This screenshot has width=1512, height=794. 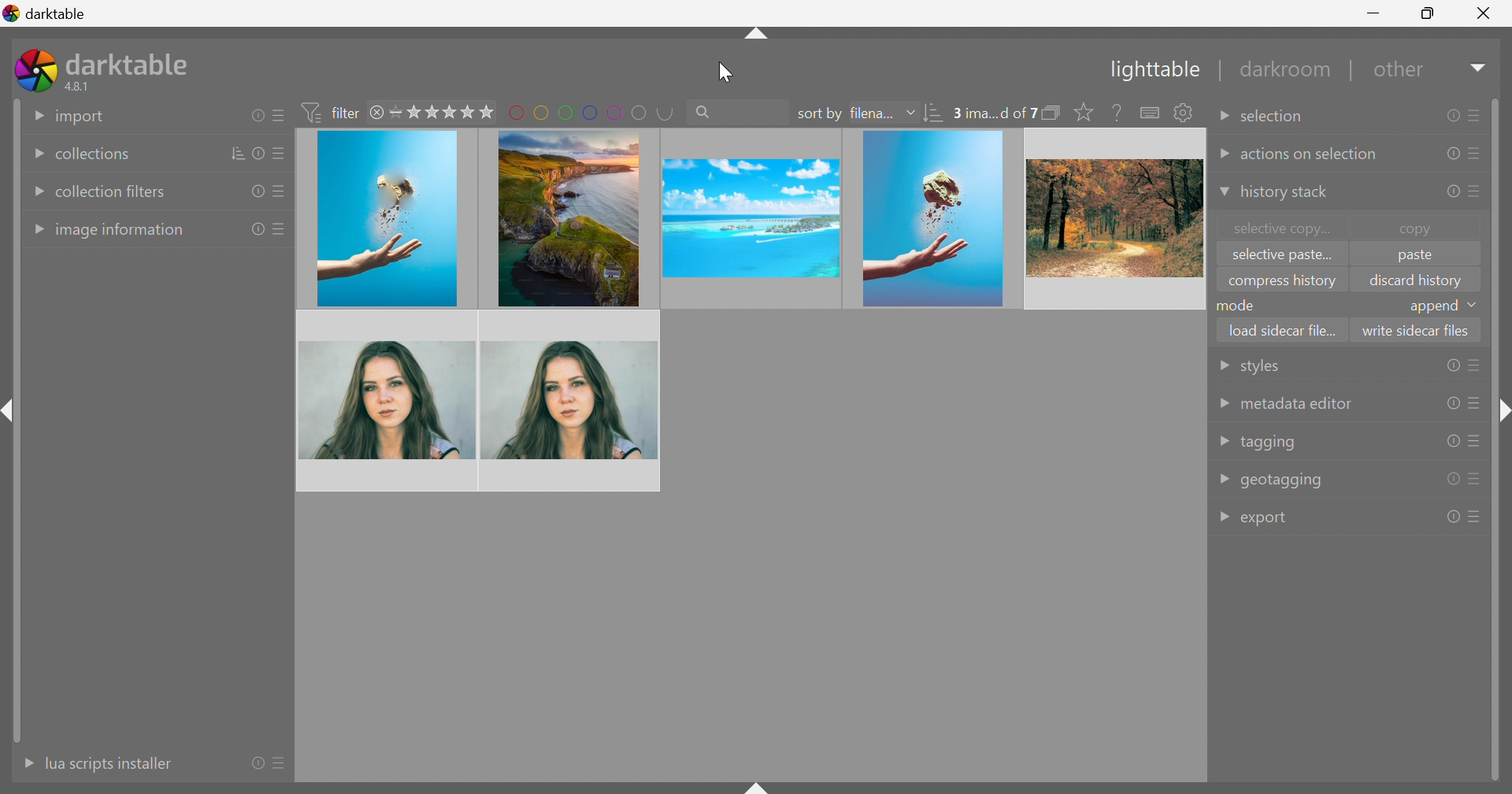 I want to click on image, so click(x=387, y=220).